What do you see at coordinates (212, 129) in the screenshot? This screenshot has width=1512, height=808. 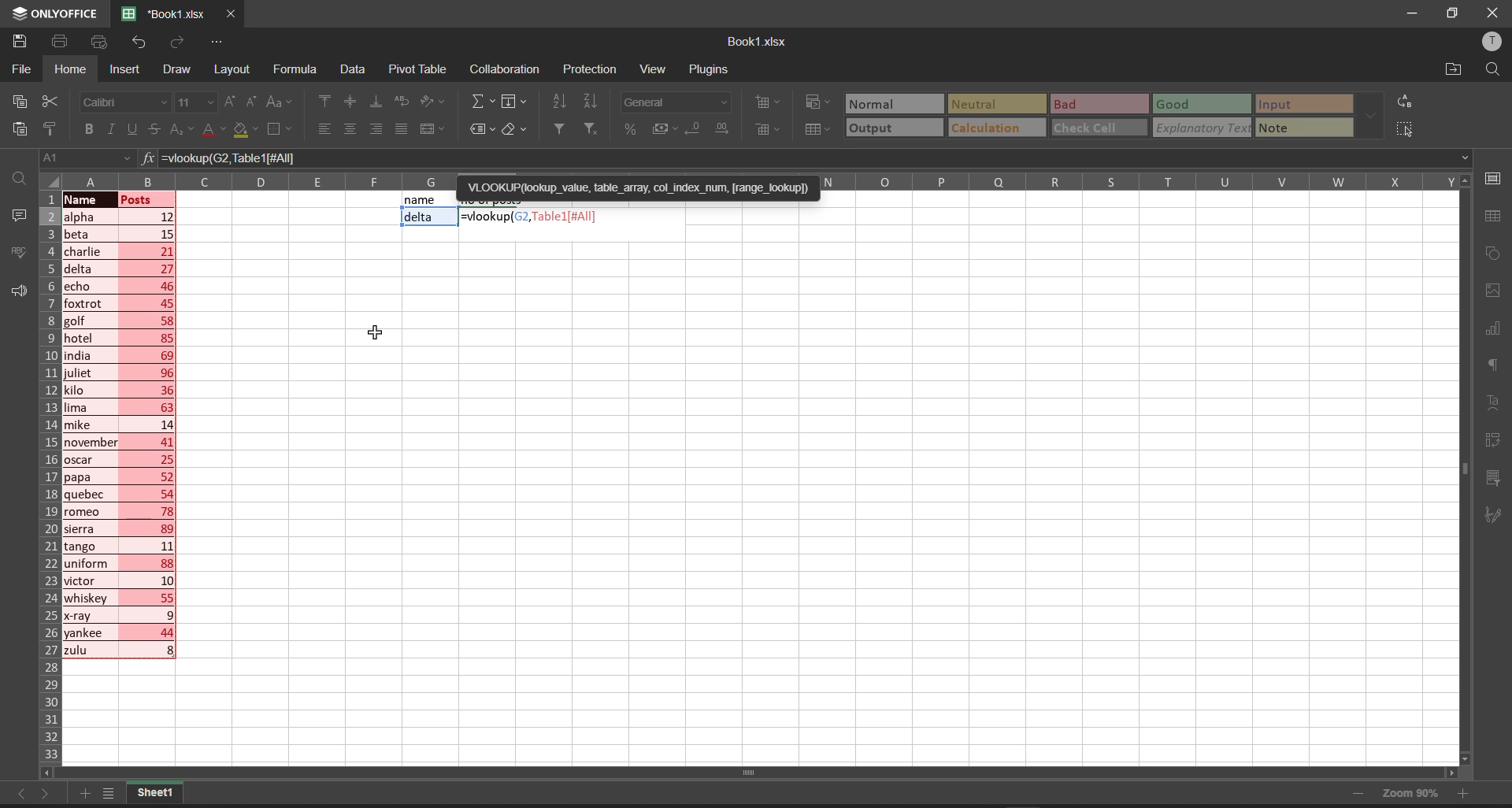 I see `font color` at bounding box center [212, 129].